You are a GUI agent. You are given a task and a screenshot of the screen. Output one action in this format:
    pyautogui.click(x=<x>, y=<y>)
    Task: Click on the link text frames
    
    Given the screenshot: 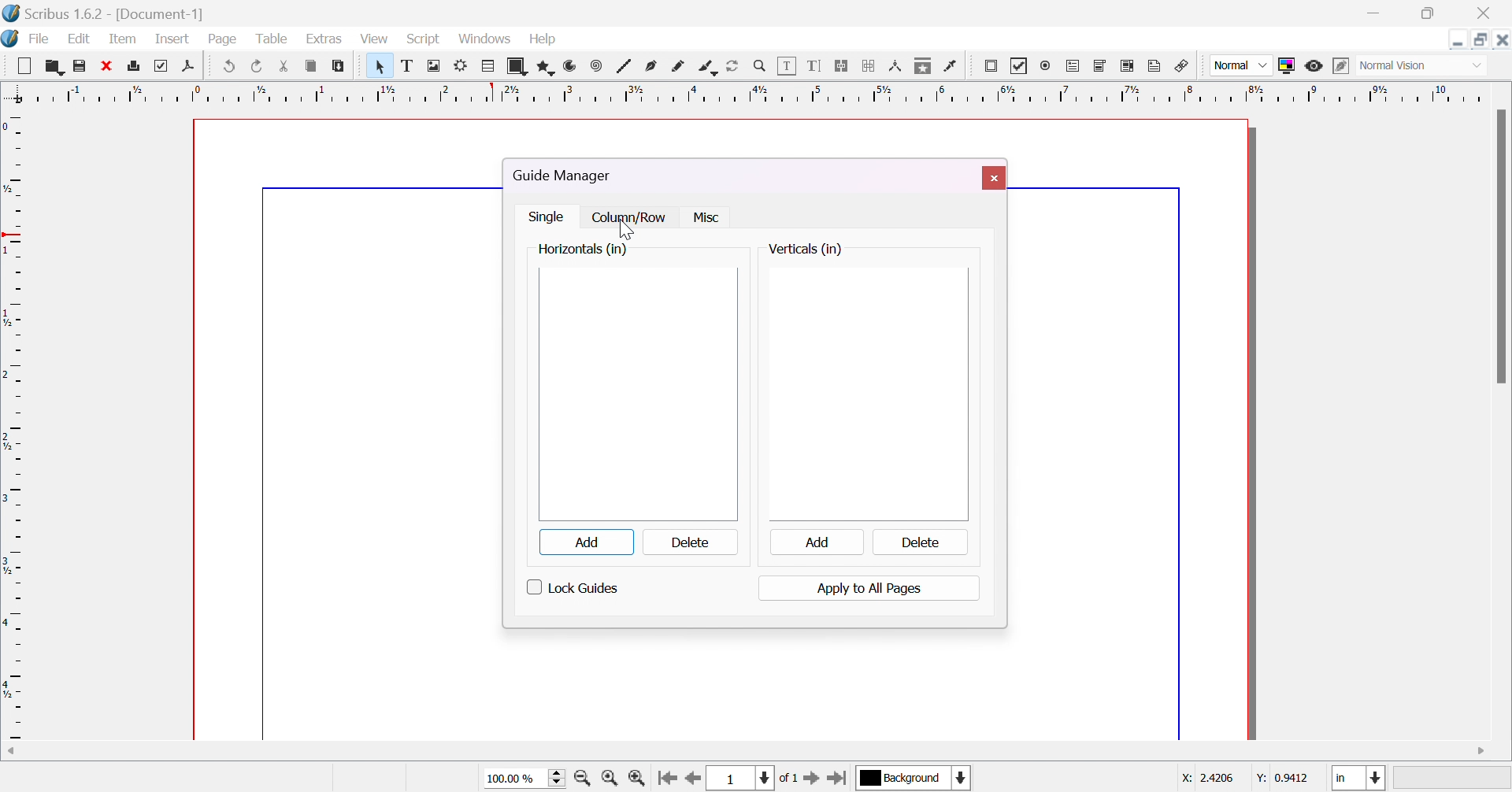 What is the action you would take?
    pyautogui.click(x=844, y=67)
    